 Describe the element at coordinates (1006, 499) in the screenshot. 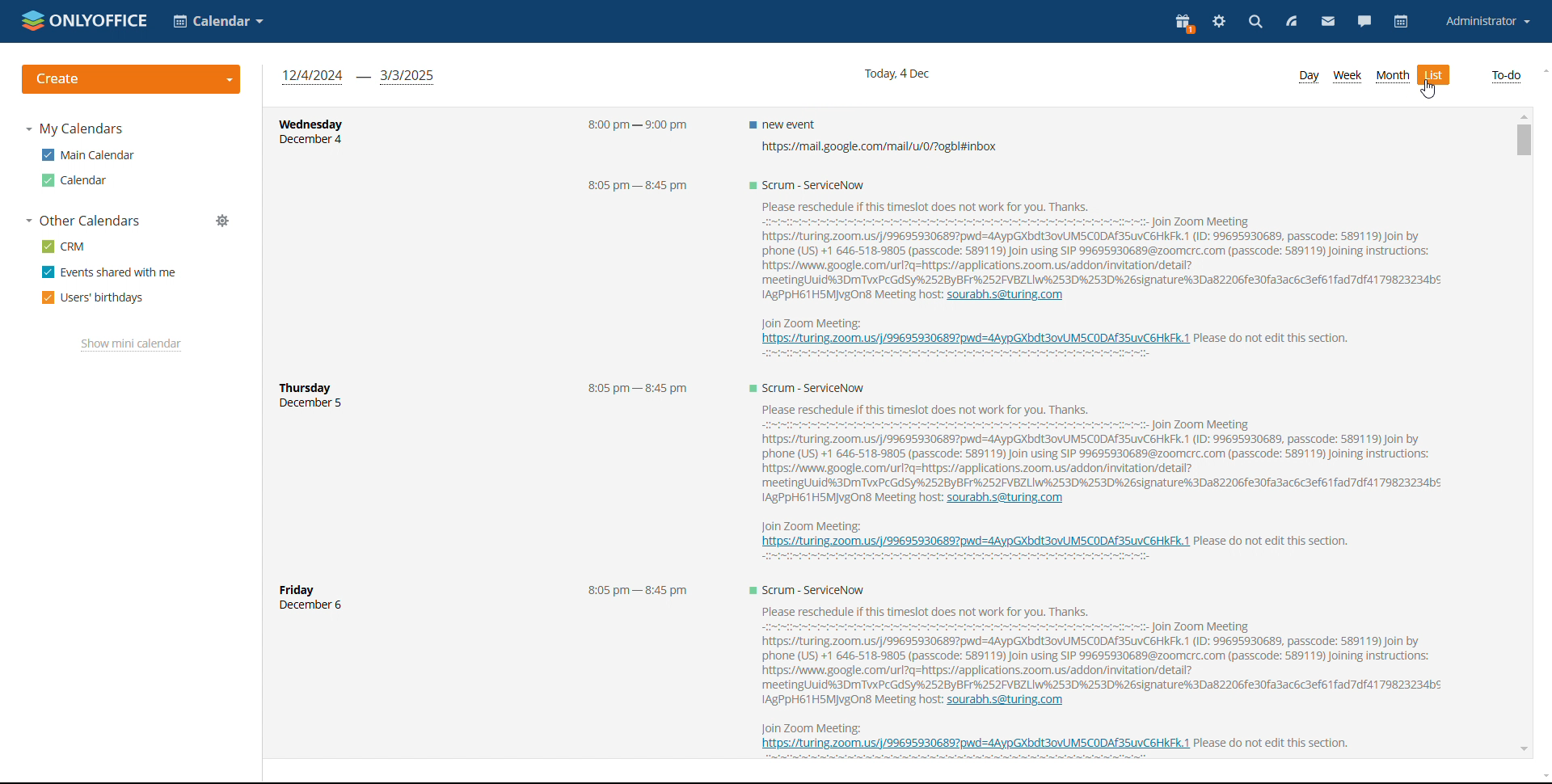

I see `sourabh.s@turing.com` at that location.